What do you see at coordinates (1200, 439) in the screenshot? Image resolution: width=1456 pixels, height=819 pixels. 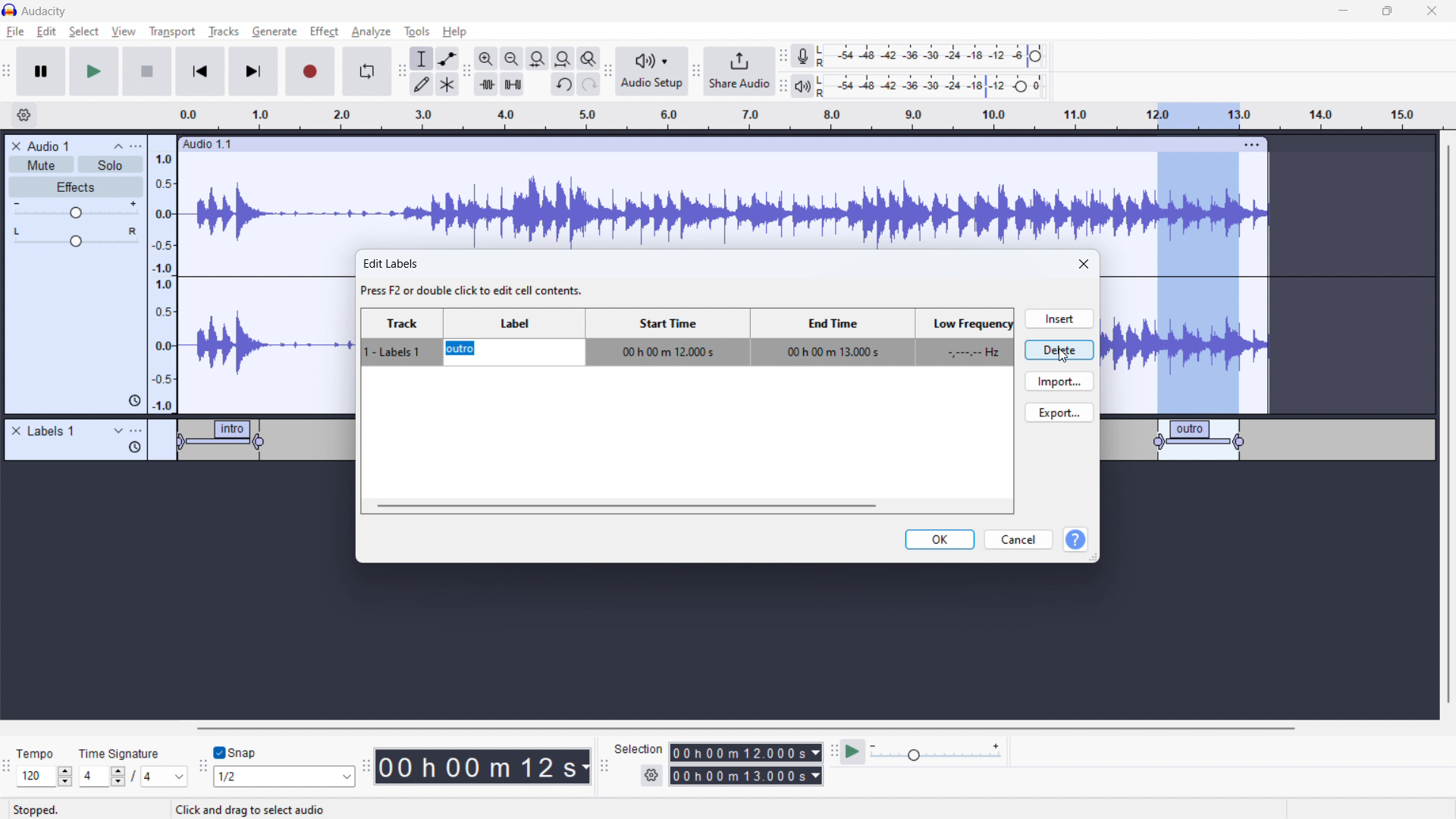 I see `label 3` at bounding box center [1200, 439].